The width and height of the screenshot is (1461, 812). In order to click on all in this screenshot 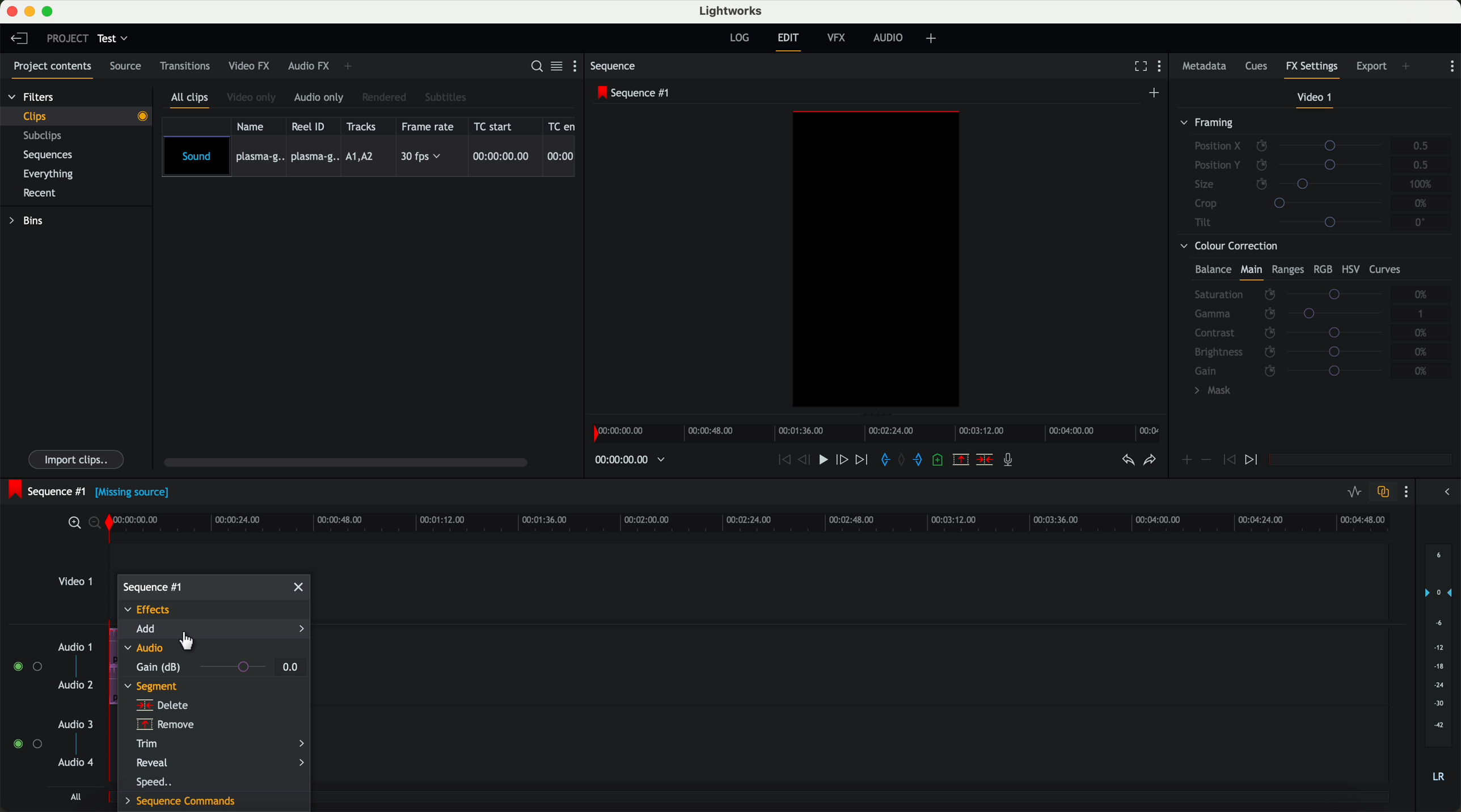, I will do `click(74, 798)`.